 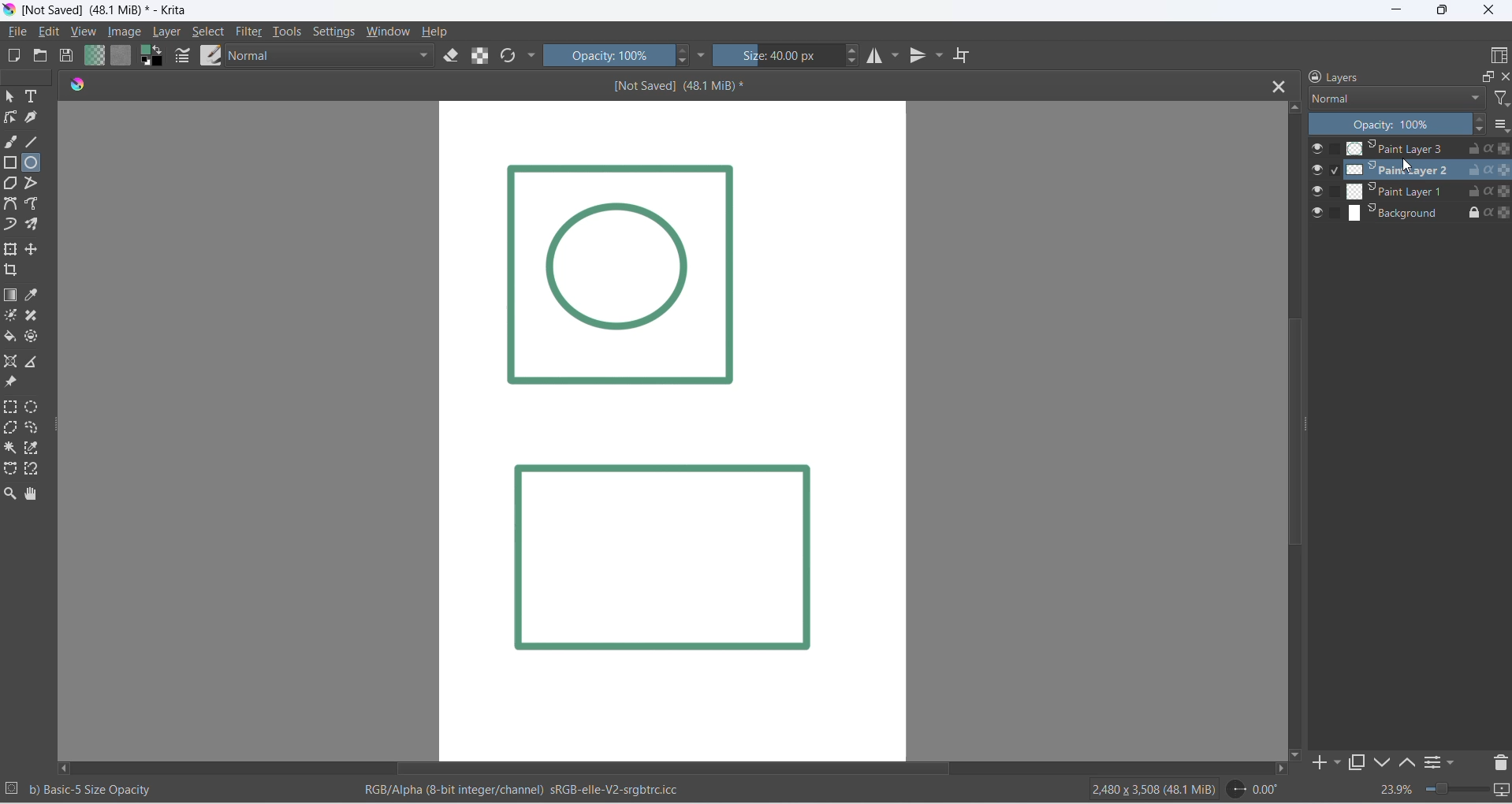 What do you see at coordinates (779, 54) in the screenshot?
I see `size` at bounding box center [779, 54].